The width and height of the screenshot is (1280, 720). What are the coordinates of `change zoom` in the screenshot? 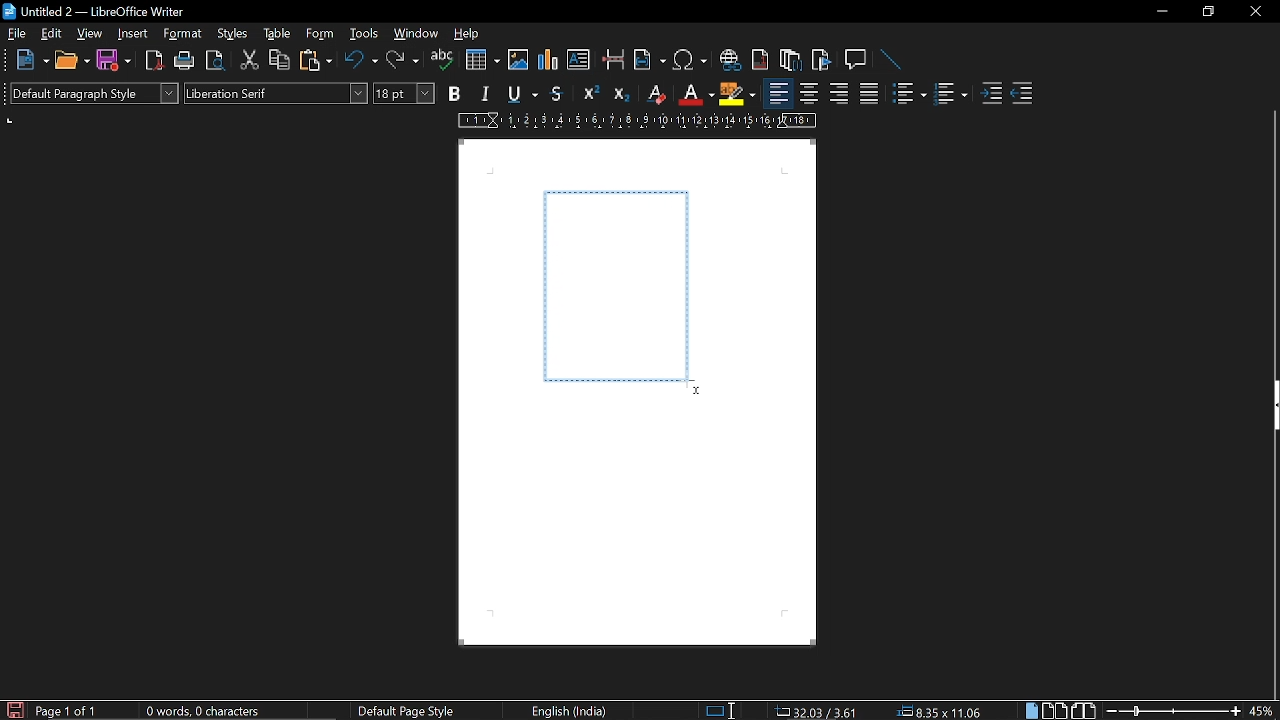 It's located at (1173, 711).